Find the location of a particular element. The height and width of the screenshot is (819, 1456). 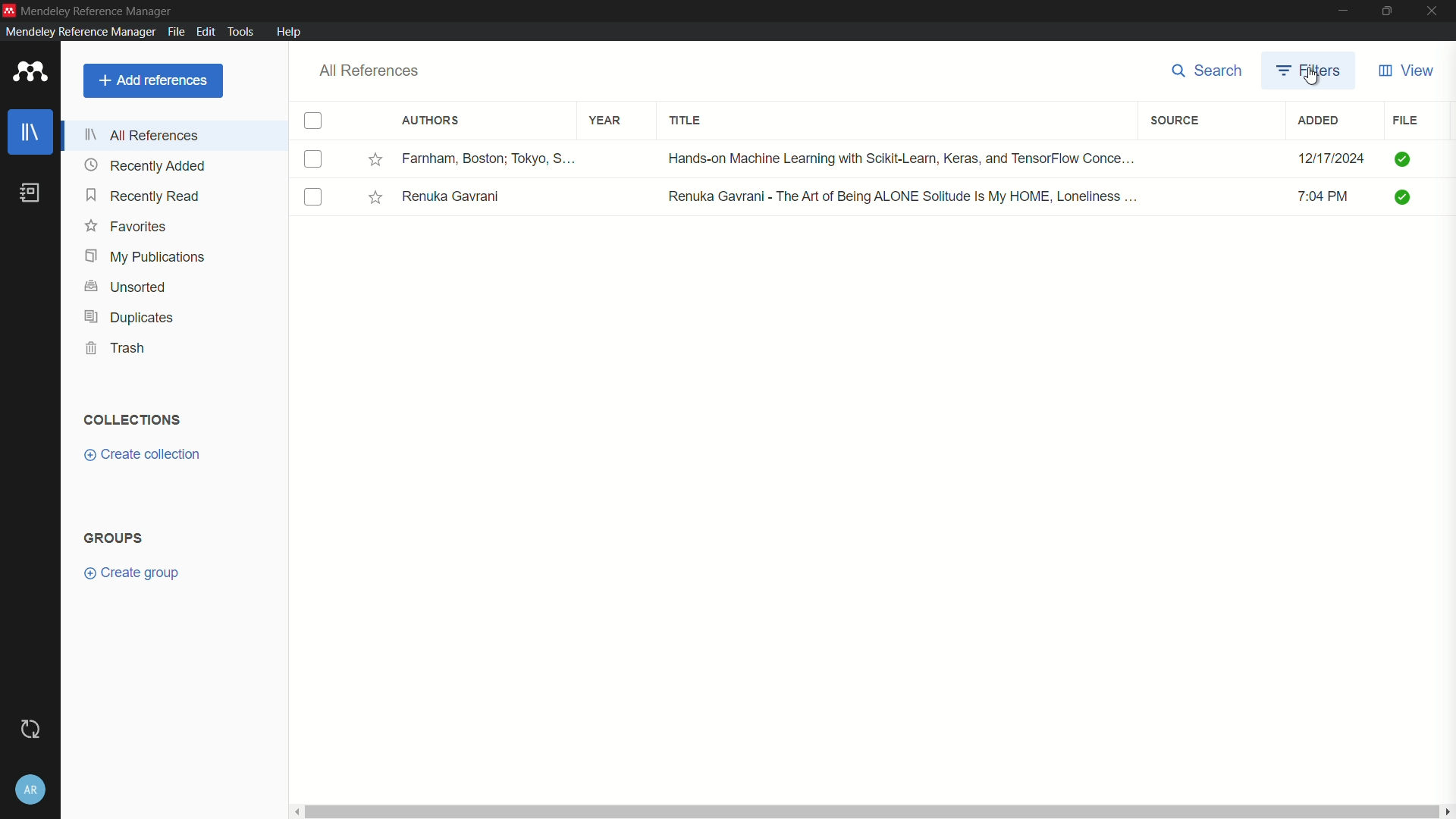

app icon is located at coordinates (9, 9).